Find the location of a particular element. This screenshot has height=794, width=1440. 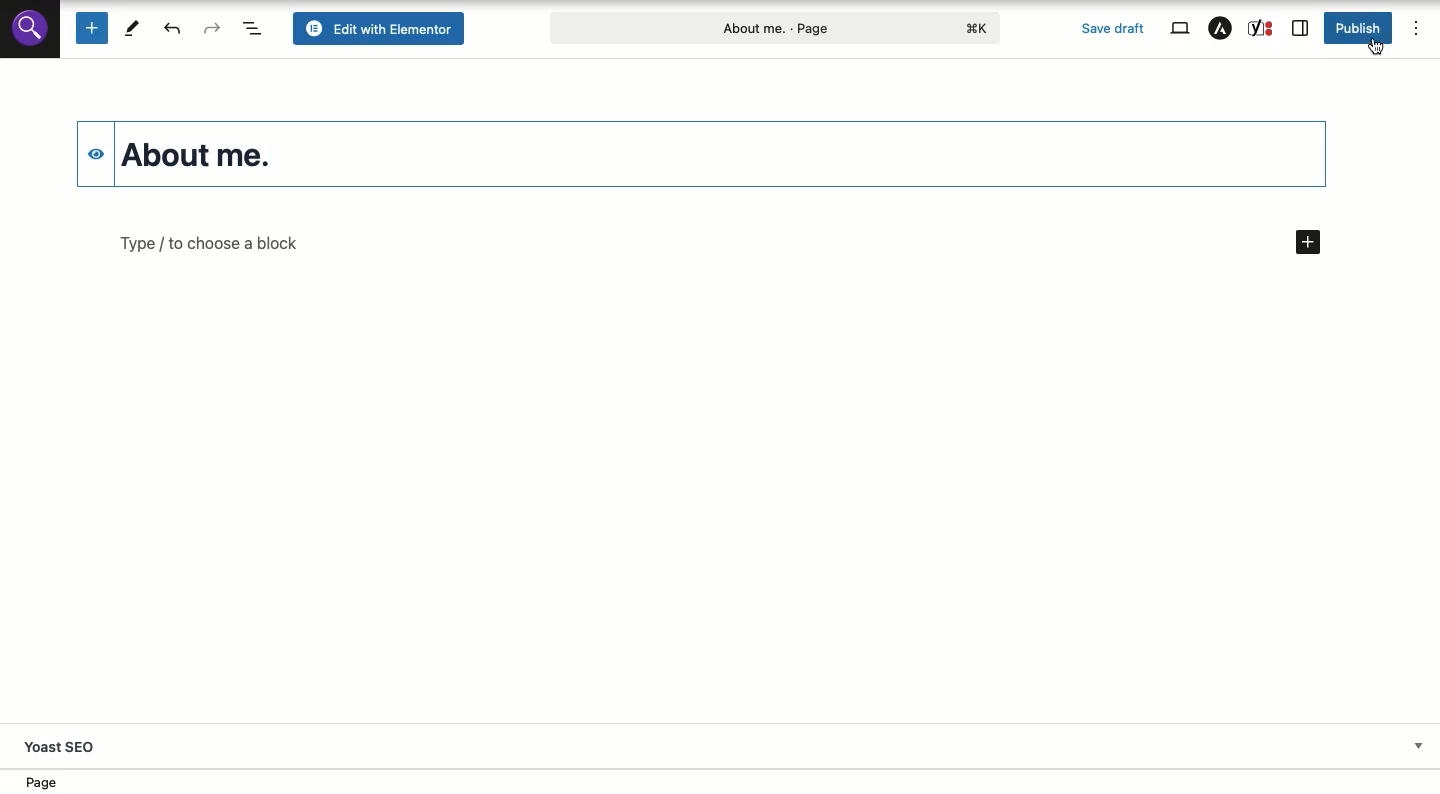

About me. is located at coordinates (217, 154).